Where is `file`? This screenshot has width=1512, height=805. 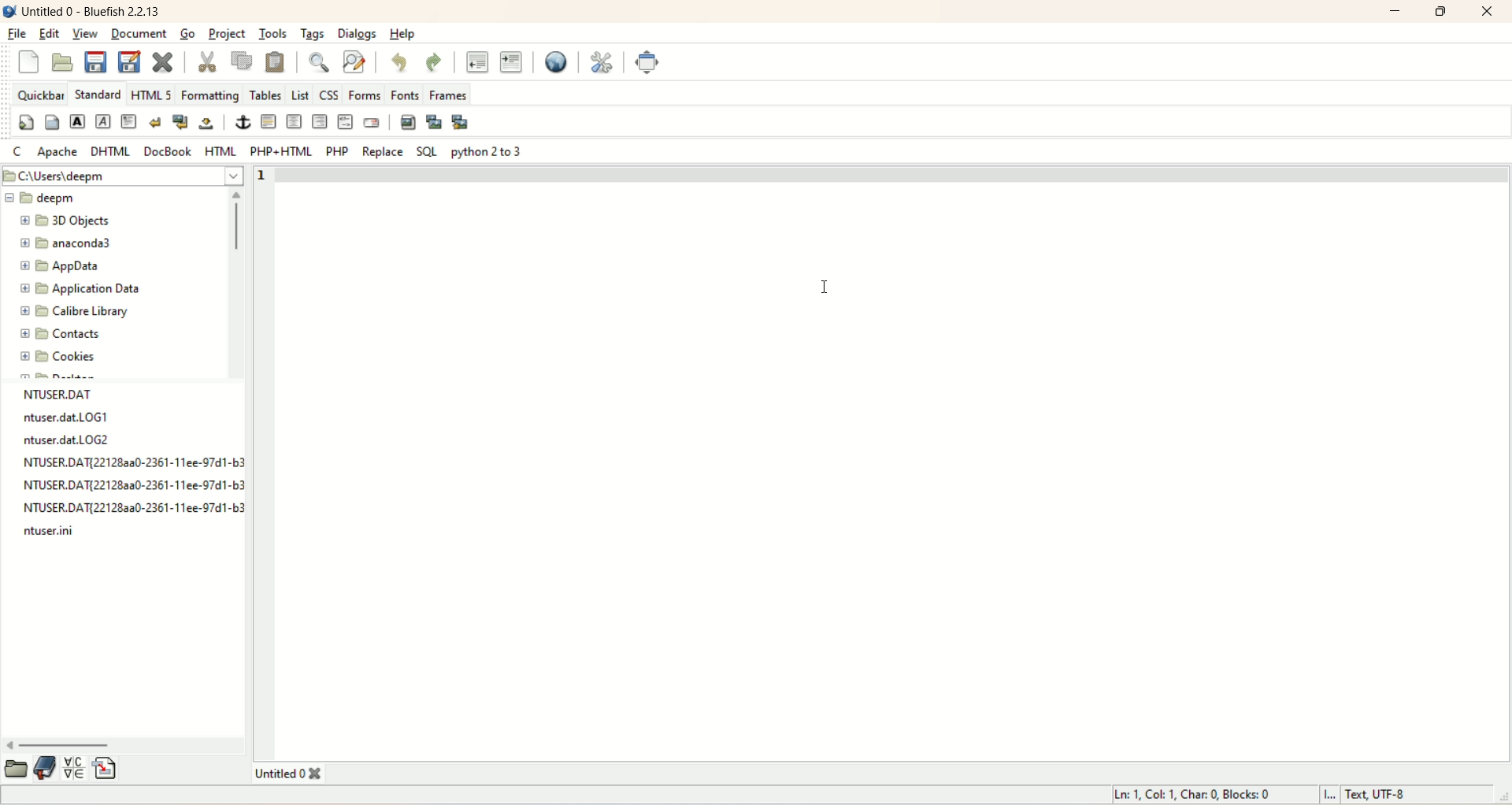
file is located at coordinates (72, 442).